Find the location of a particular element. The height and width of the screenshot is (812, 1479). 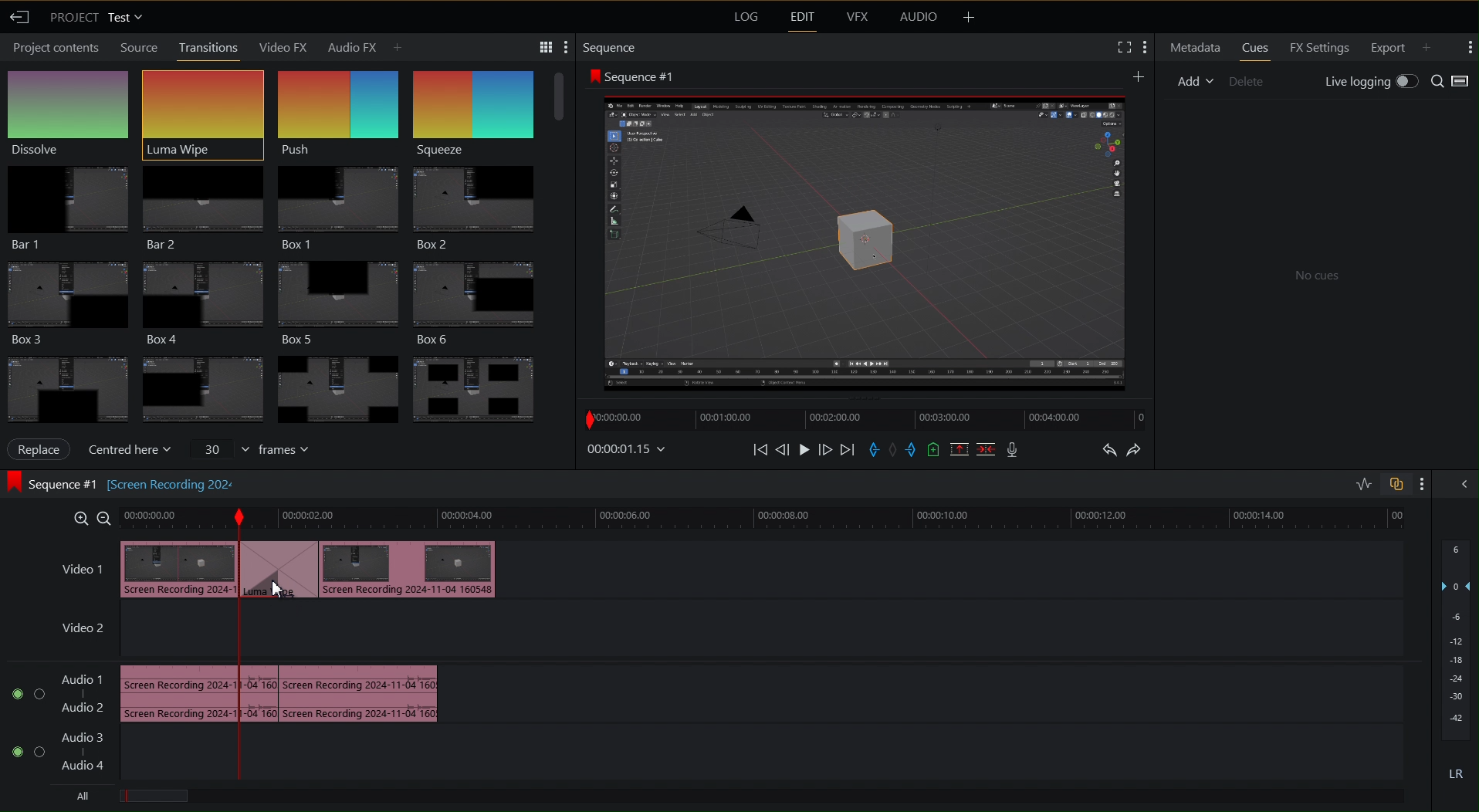

Settings is located at coordinates (1132, 48).